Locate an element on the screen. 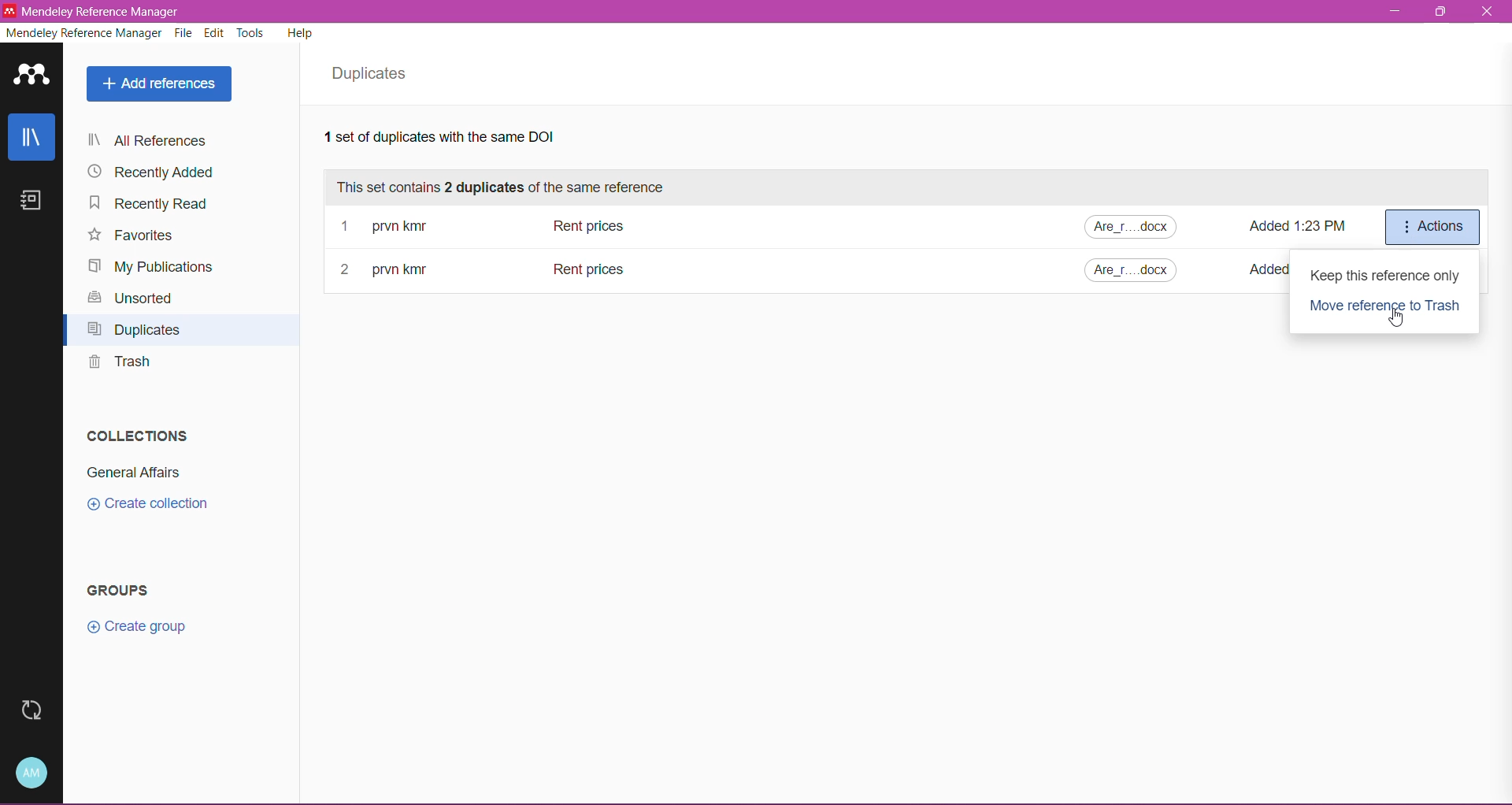  Mendeley Reference Manager is located at coordinates (83, 35).